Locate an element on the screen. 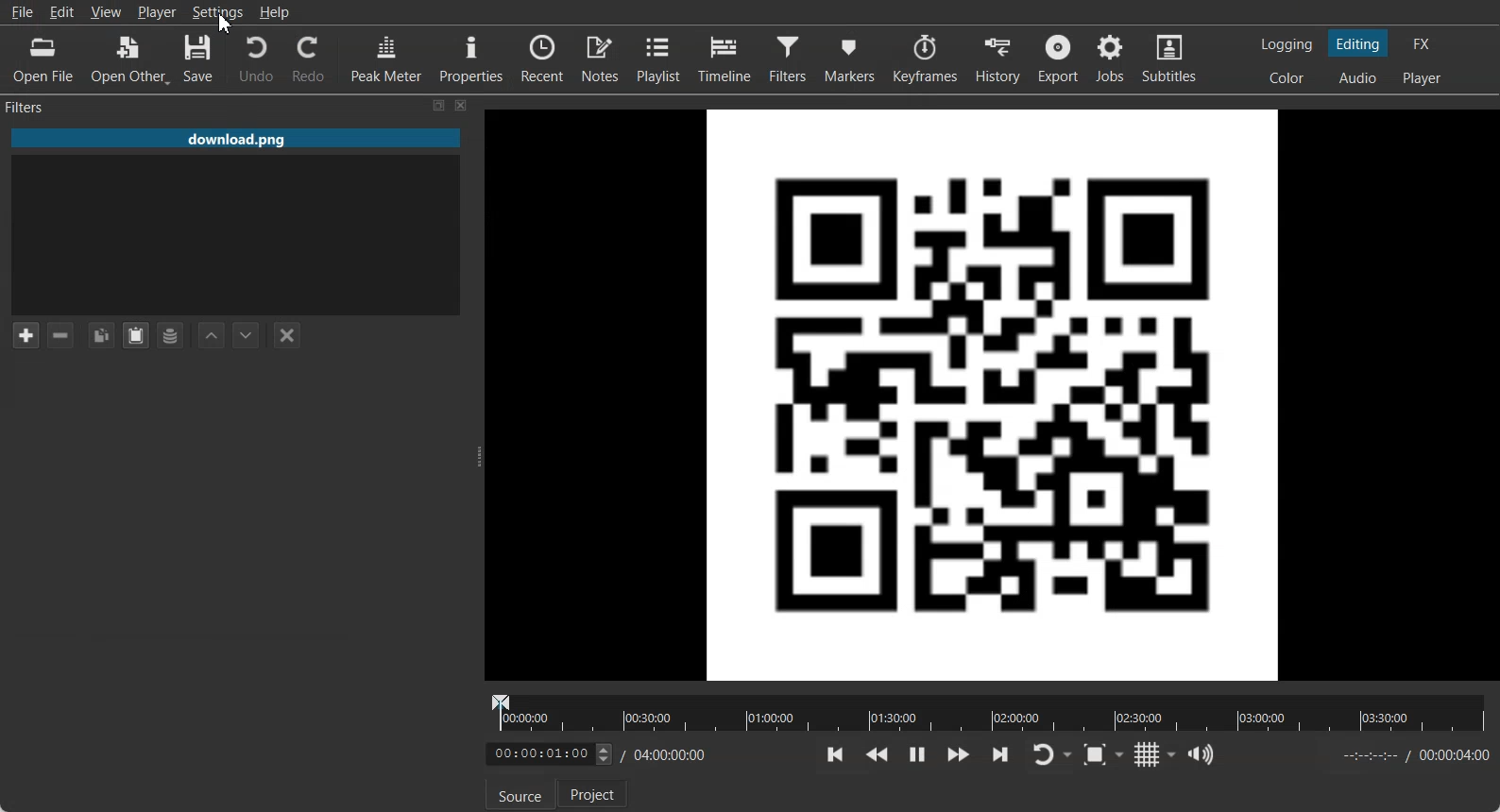 This screenshot has height=812, width=1500. Help is located at coordinates (274, 11).